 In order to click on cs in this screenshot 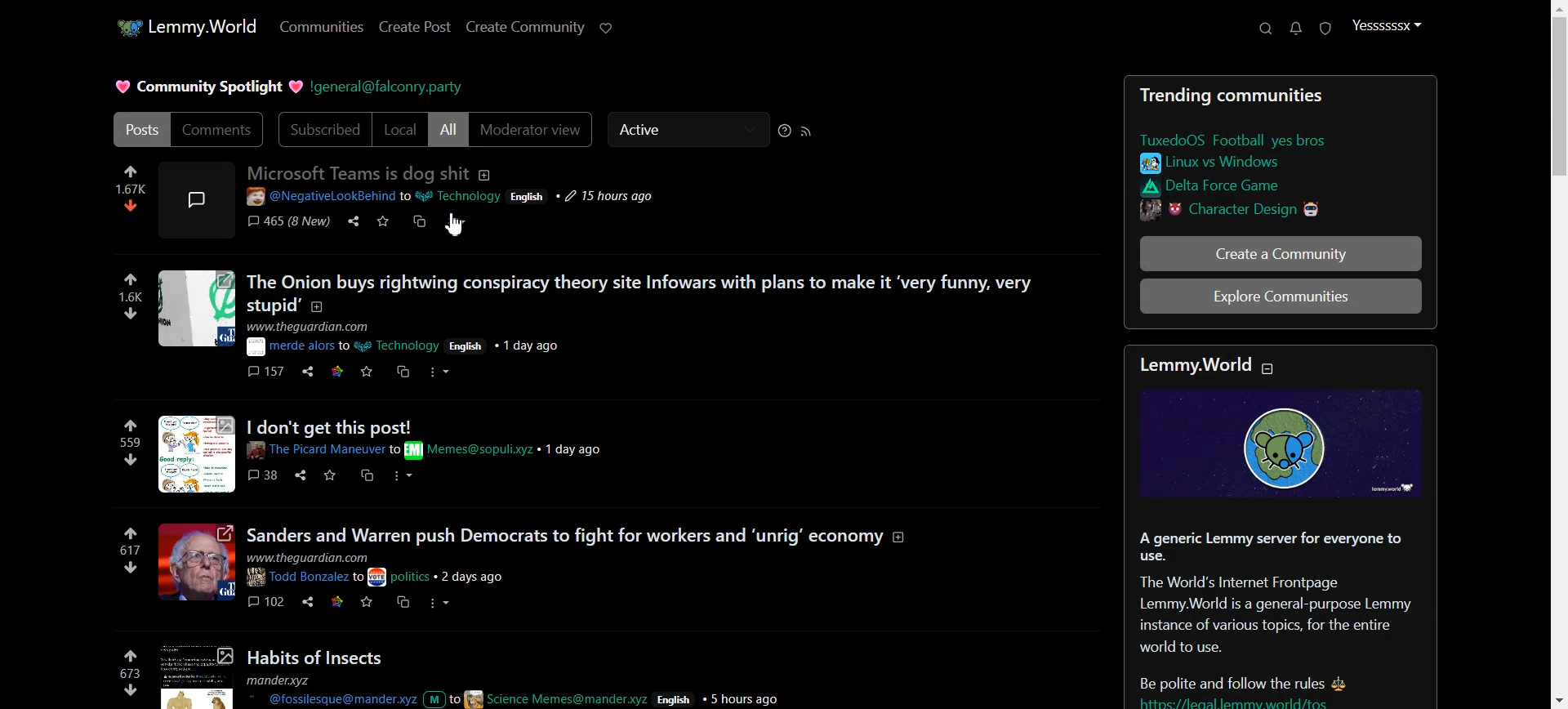, I will do `click(421, 225)`.